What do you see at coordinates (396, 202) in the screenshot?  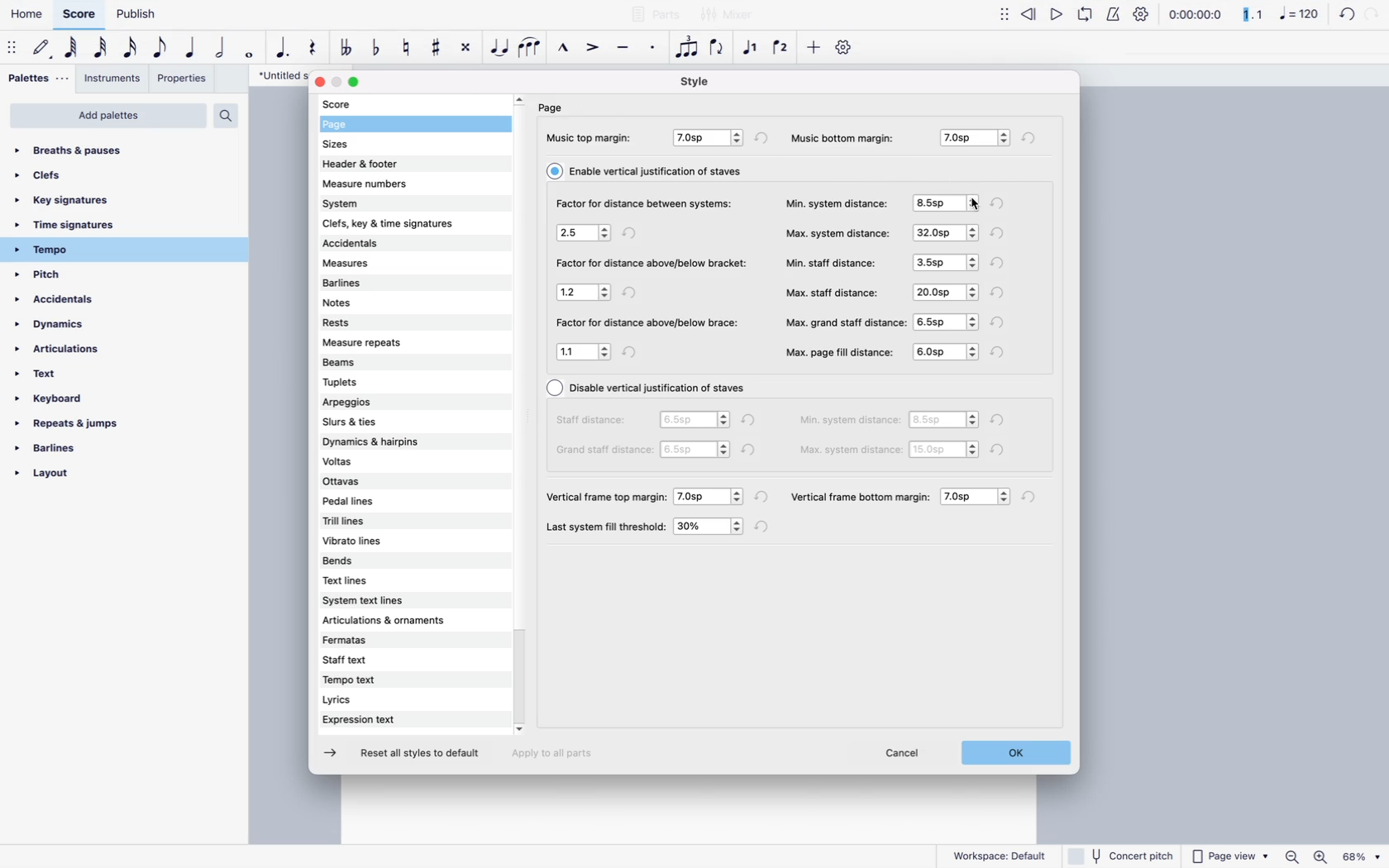 I see `system` at bounding box center [396, 202].